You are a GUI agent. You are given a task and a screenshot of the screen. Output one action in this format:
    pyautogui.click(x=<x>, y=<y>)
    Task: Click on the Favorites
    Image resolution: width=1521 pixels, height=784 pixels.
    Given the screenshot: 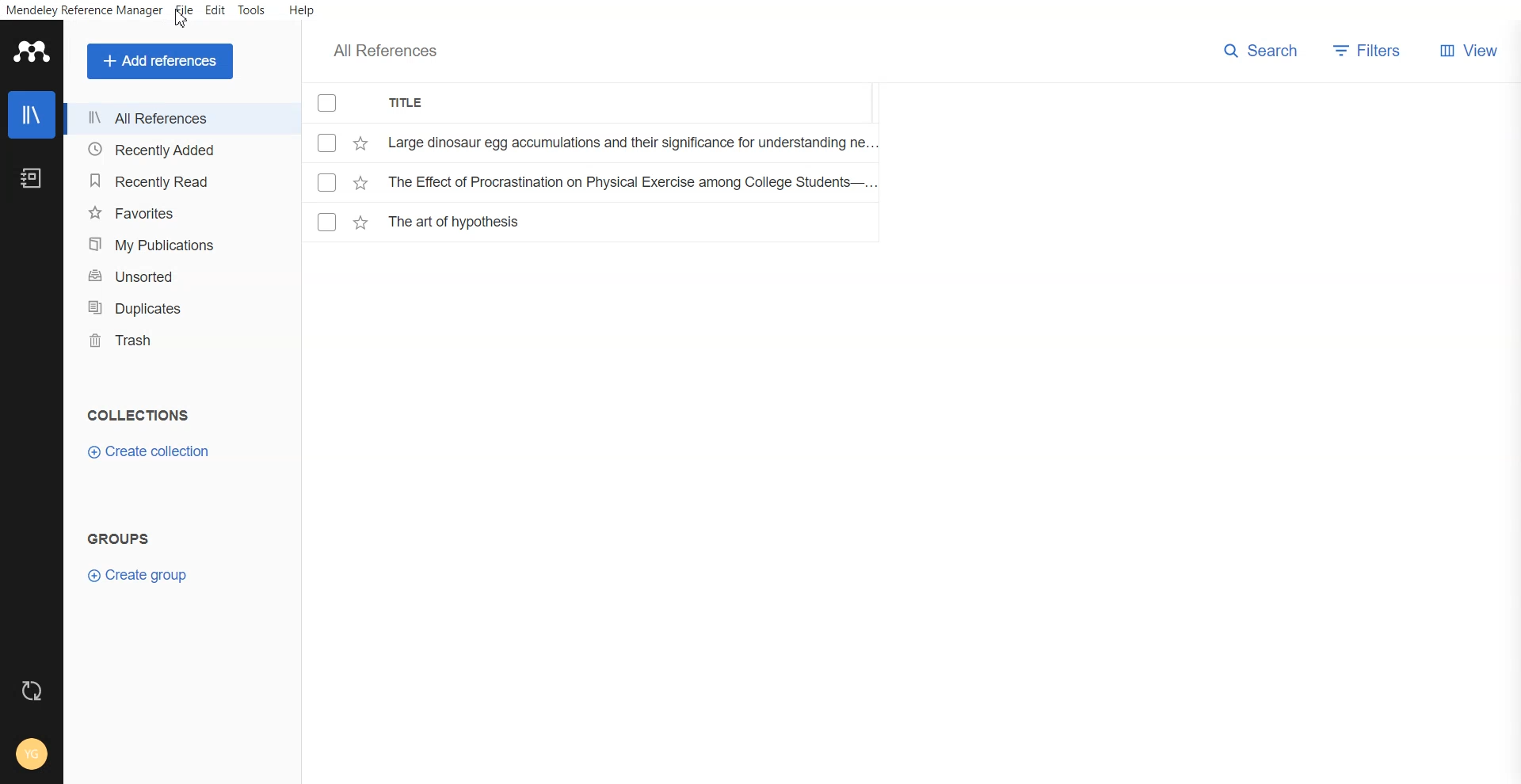 What is the action you would take?
    pyautogui.click(x=169, y=214)
    